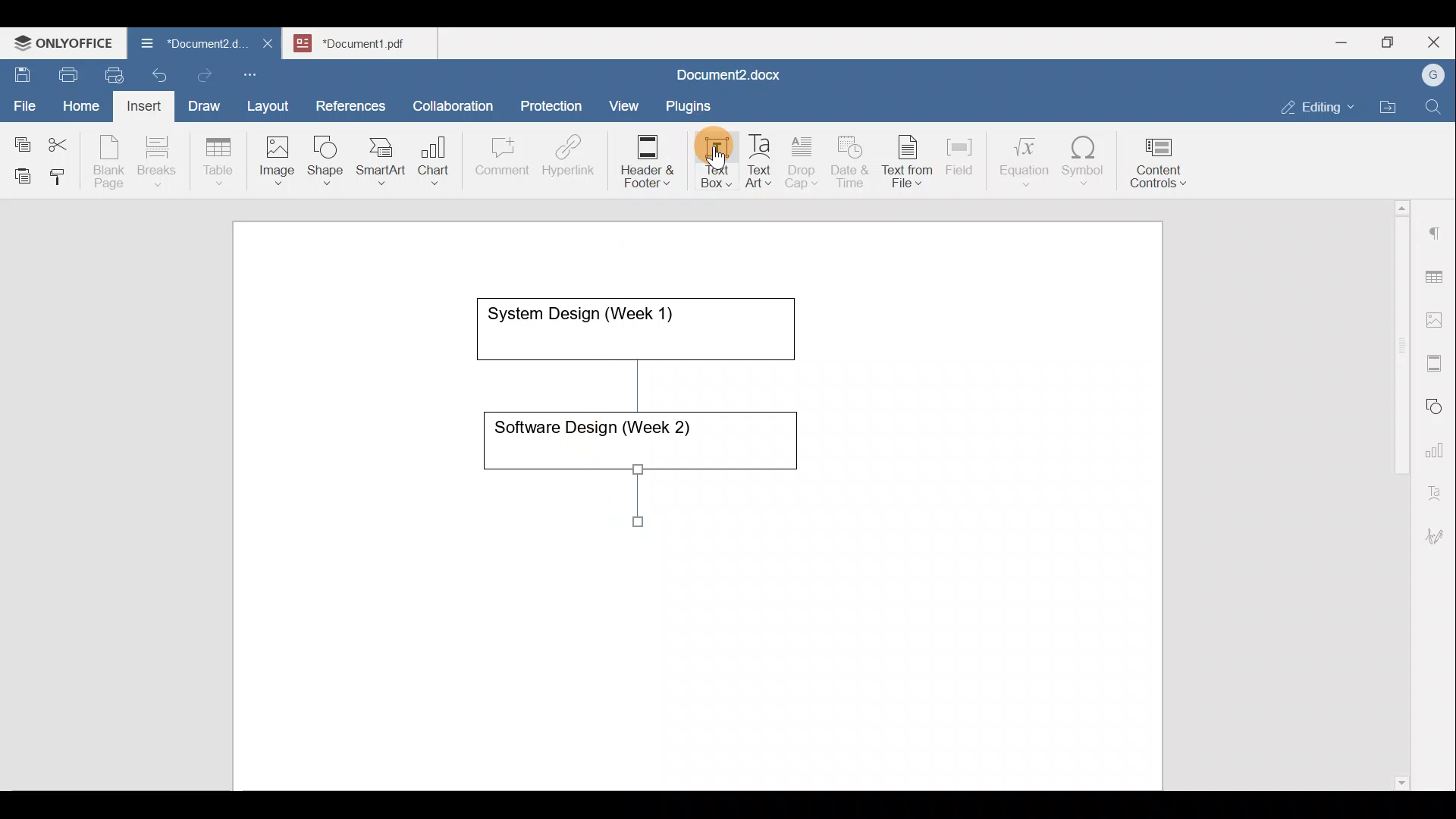 The width and height of the screenshot is (1456, 819). I want to click on View, so click(625, 101).